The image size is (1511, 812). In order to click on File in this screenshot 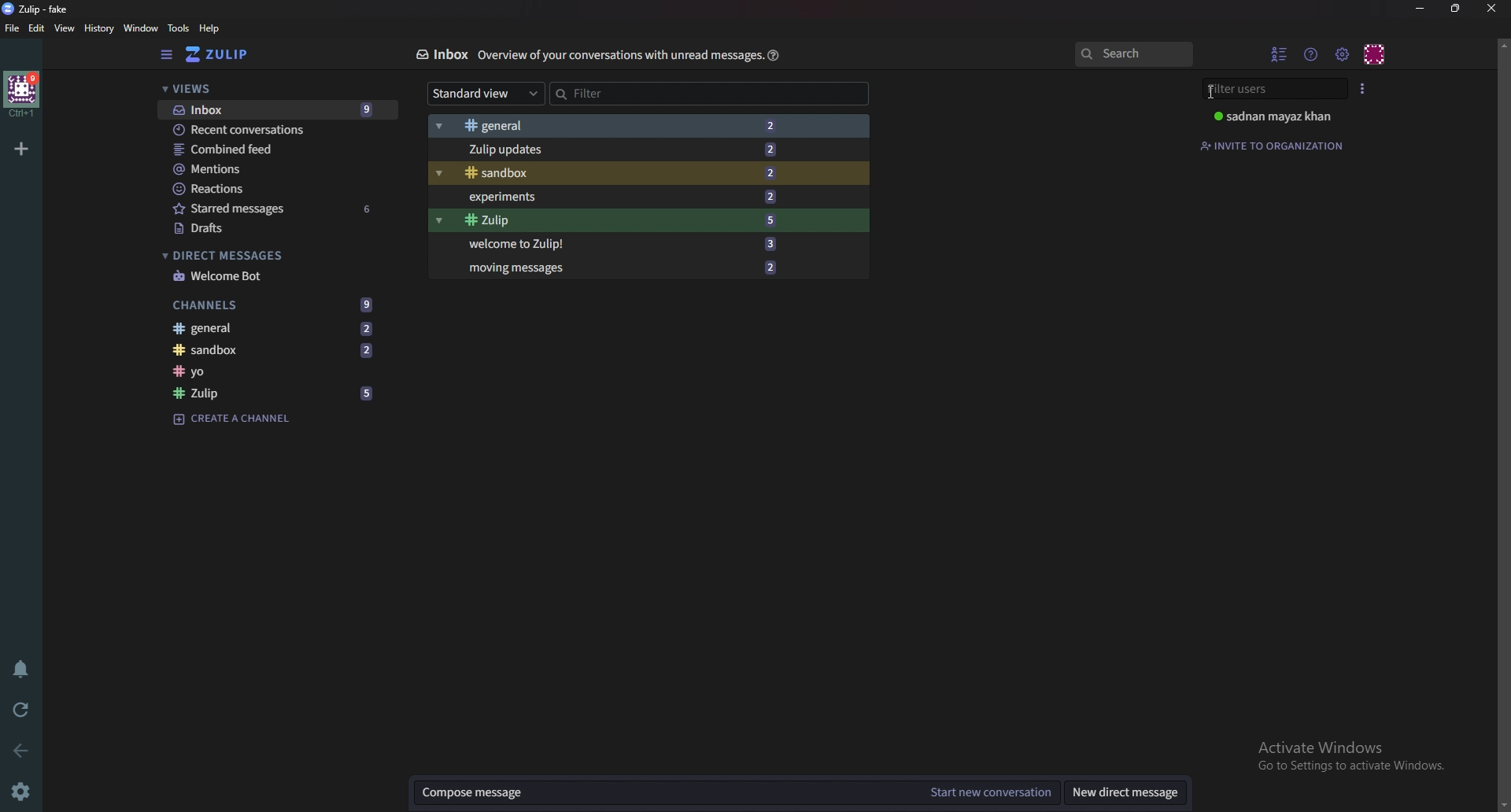, I will do `click(13, 28)`.